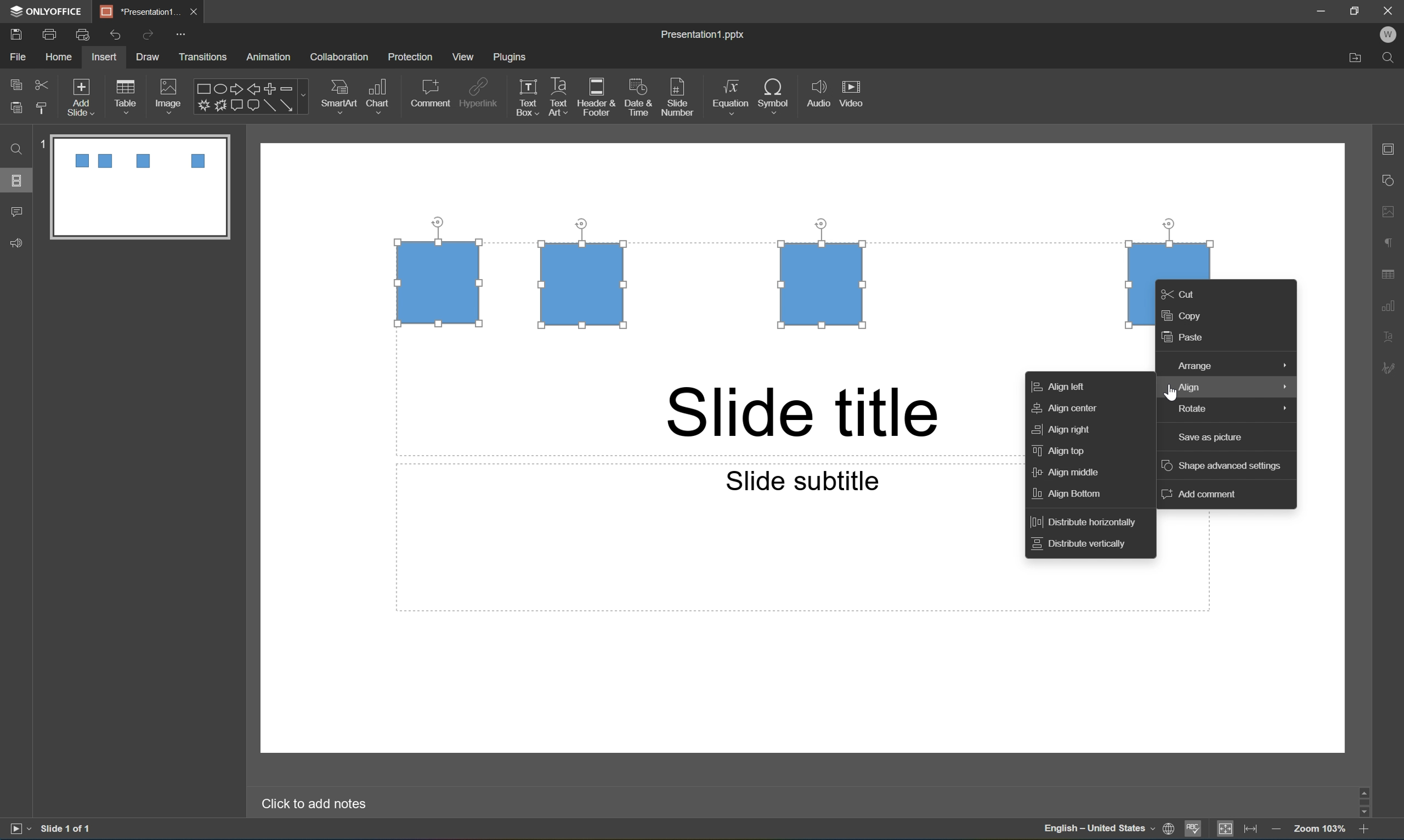 The height and width of the screenshot is (840, 1404). I want to click on header & footer, so click(598, 98).